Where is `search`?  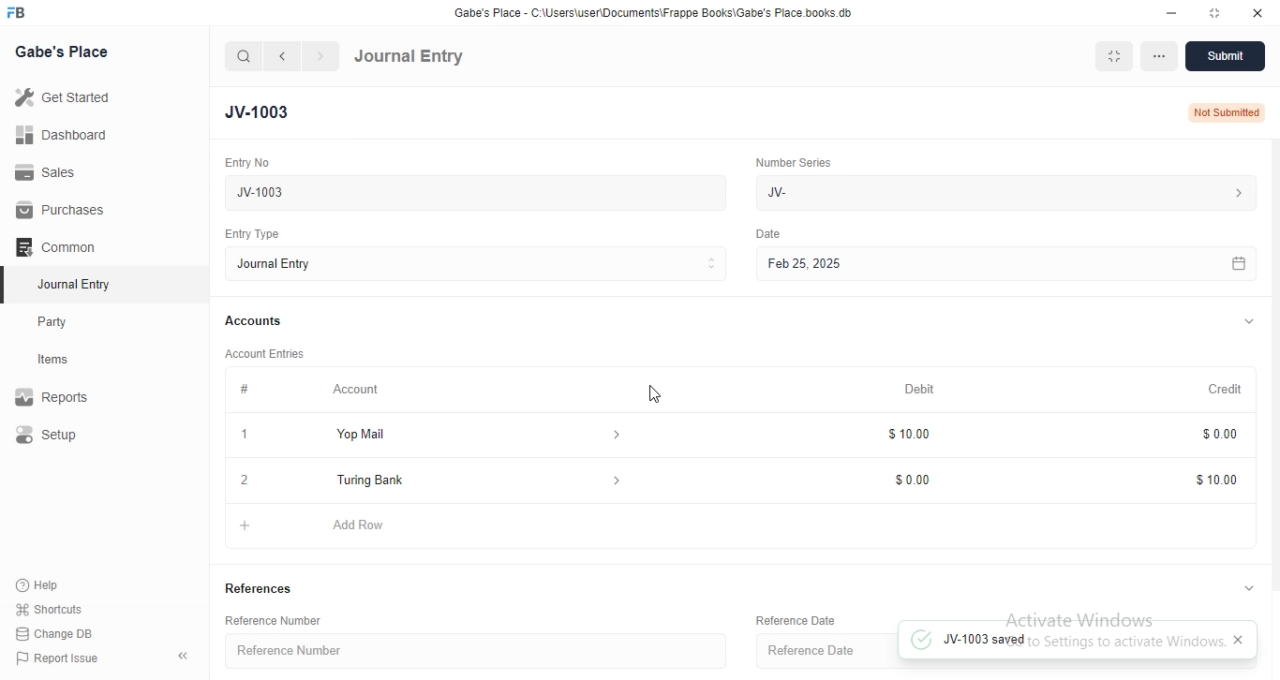
search is located at coordinates (244, 57).